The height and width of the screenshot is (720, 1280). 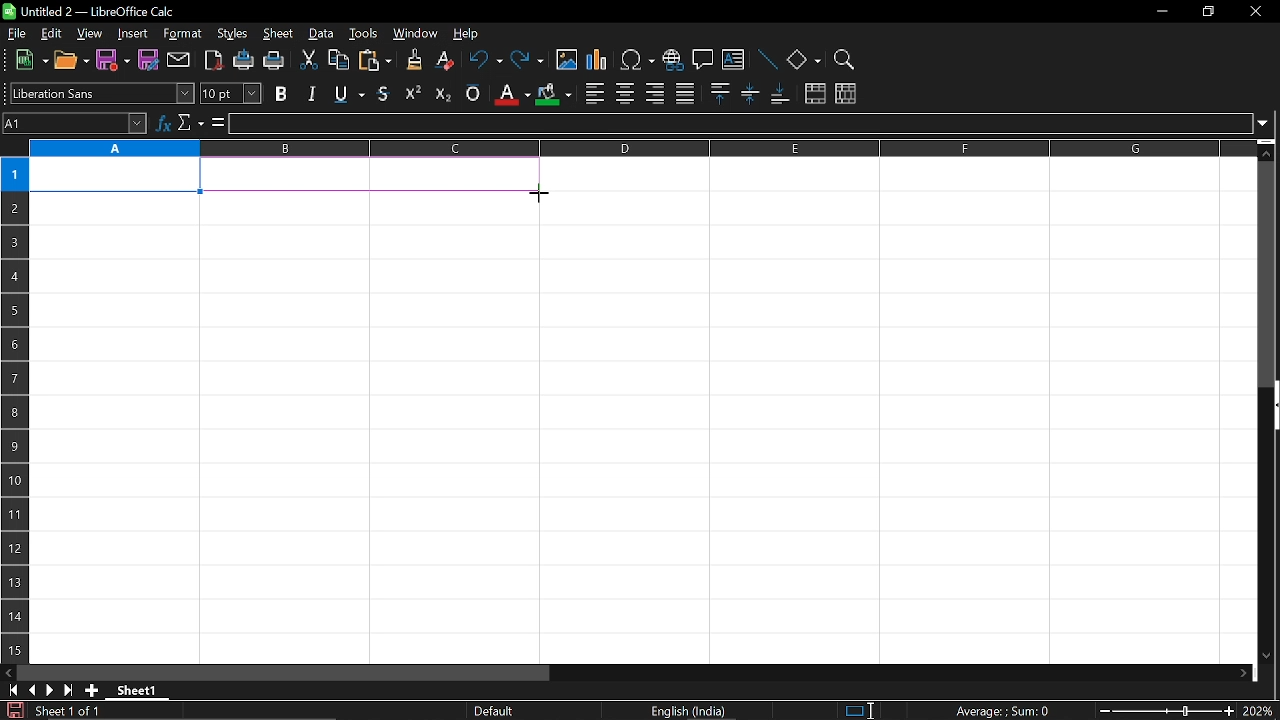 What do you see at coordinates (17, 33) in the screenshot?
I see `file` at bounding box center [17, 33].